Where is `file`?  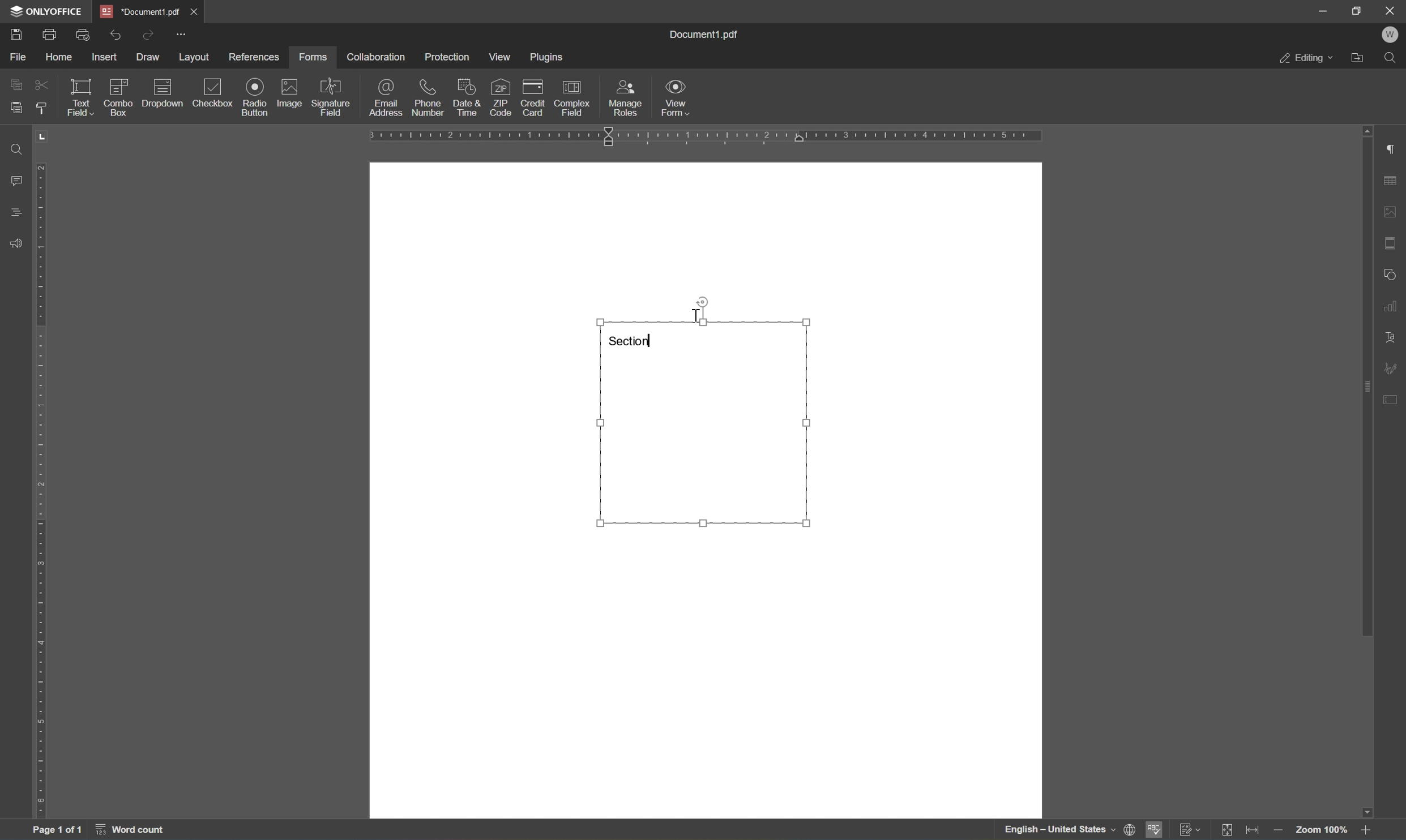
file is located at coordinates (19, 55).